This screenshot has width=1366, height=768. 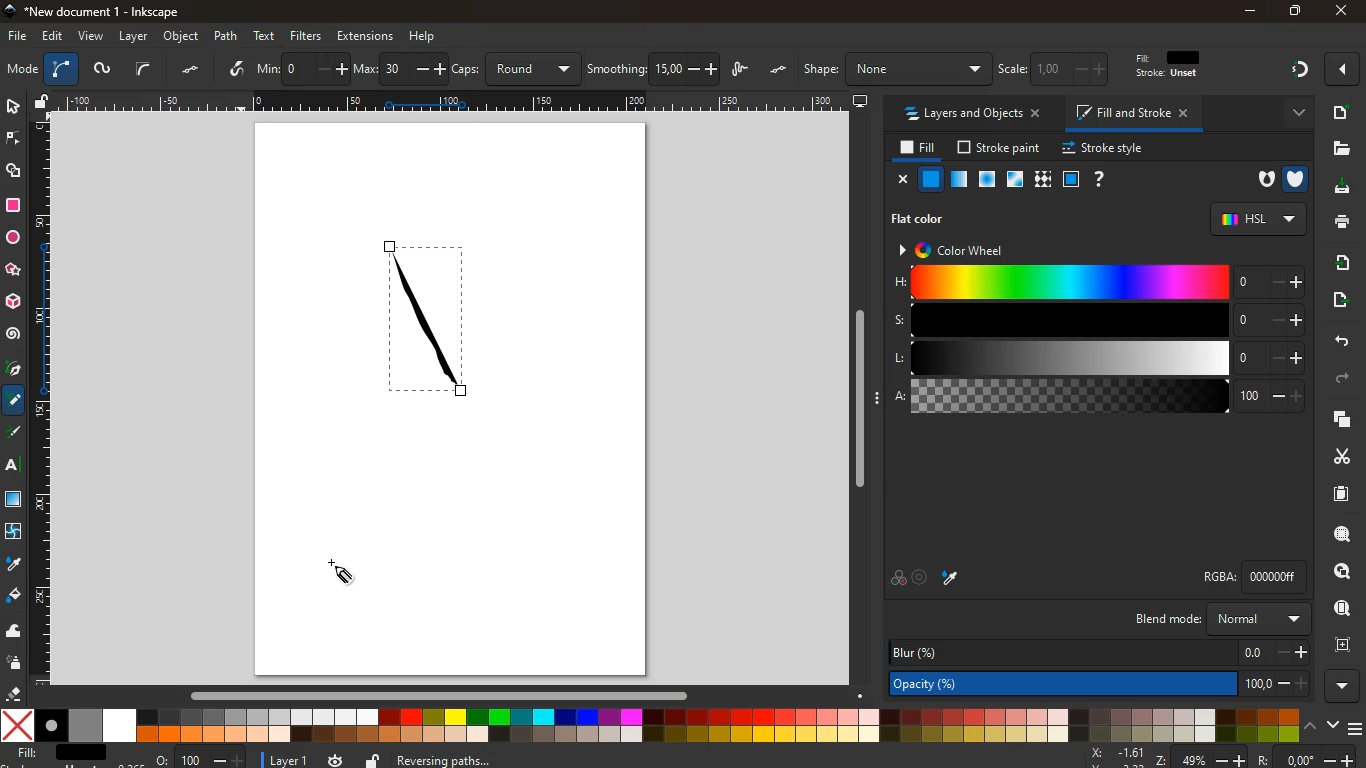 I want to click on down, so click(x=1333, y=723).